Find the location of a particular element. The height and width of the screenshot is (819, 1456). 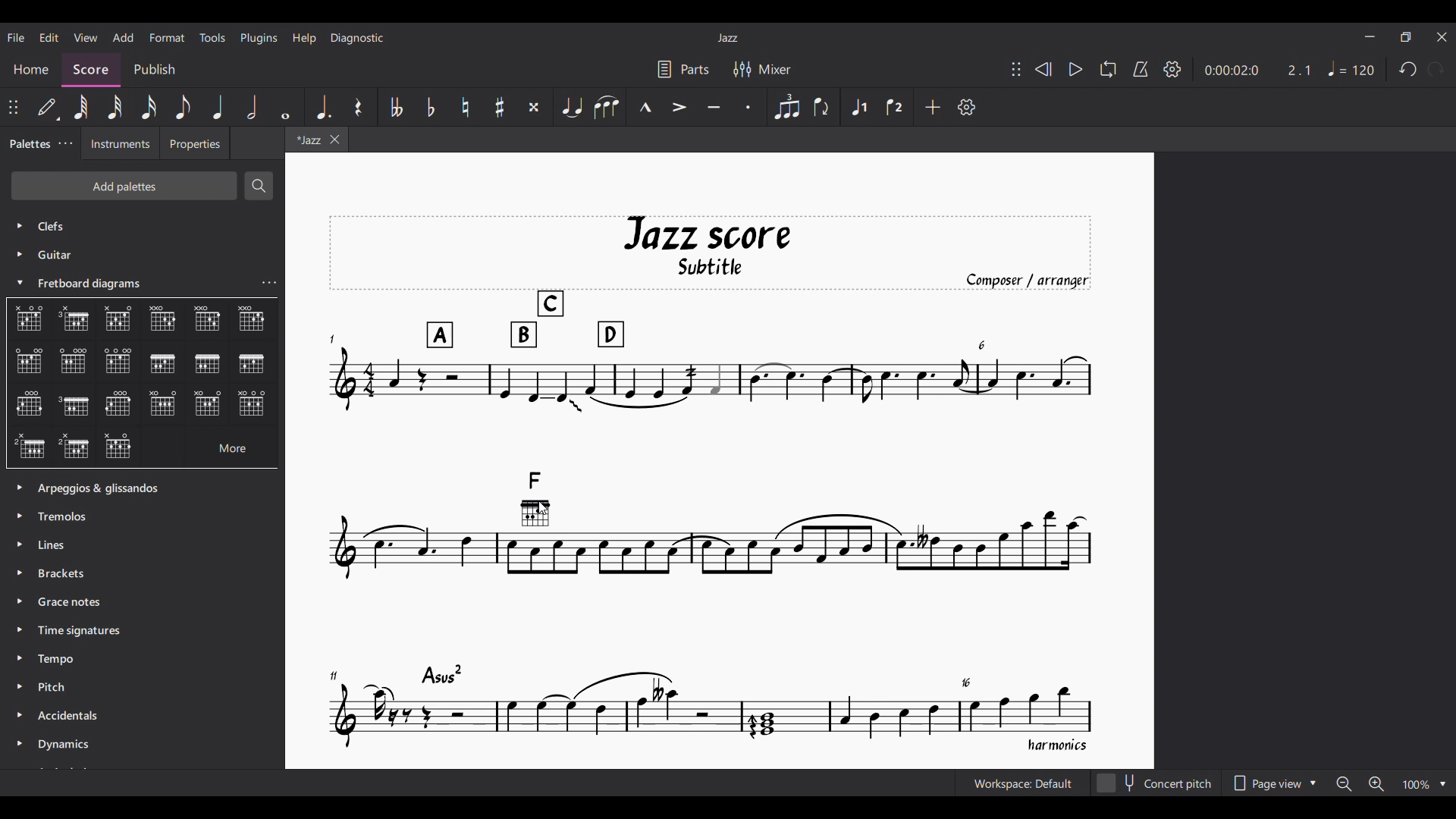

Help menu is located at coordinates (305, 39).